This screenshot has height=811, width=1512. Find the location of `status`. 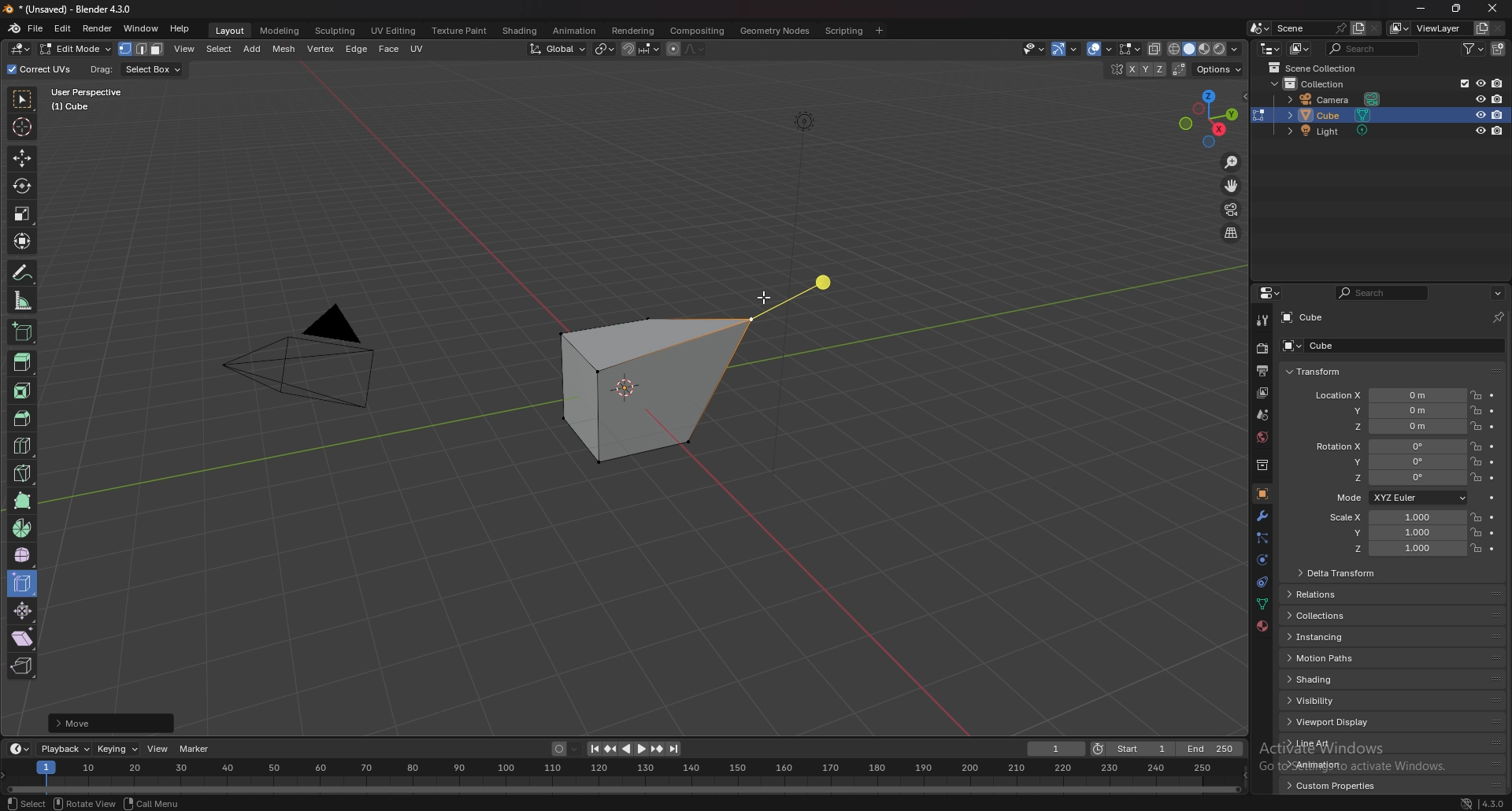

status is located at coordinates (756, 804).